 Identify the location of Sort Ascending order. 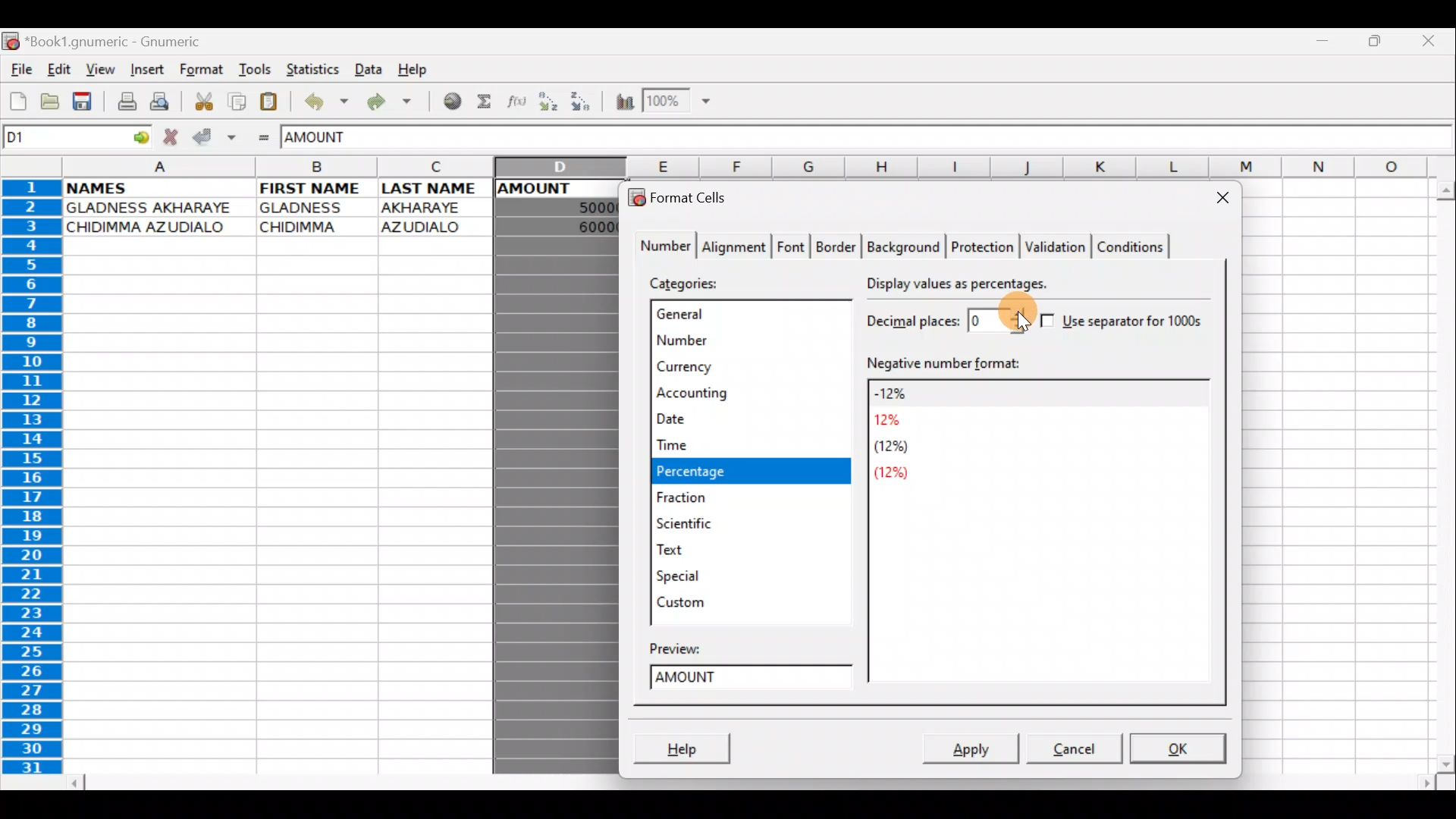
(550, 102).